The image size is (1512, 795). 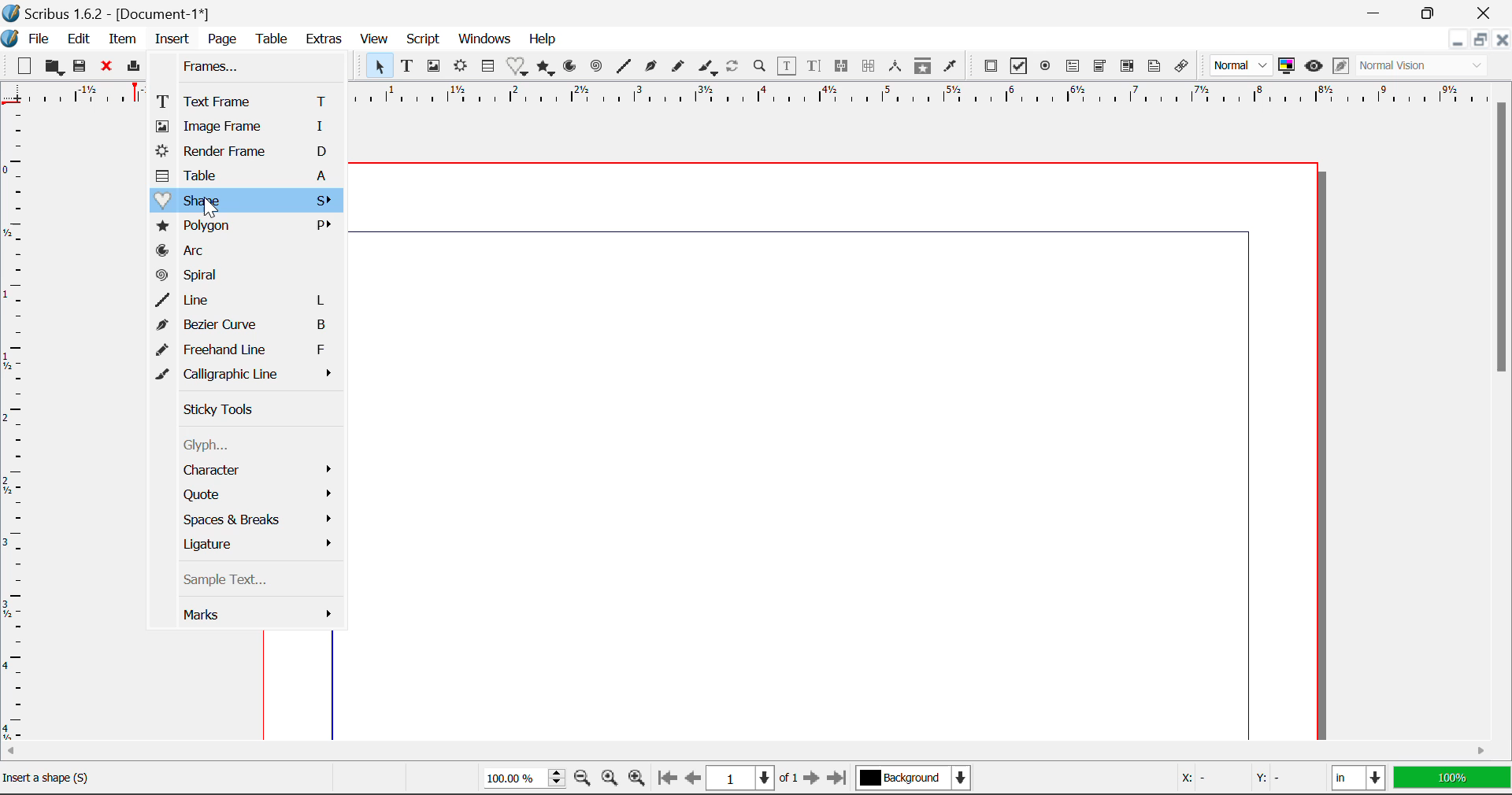 I want to click on Edit Text in Story Editor, so click(x=814, y=68).